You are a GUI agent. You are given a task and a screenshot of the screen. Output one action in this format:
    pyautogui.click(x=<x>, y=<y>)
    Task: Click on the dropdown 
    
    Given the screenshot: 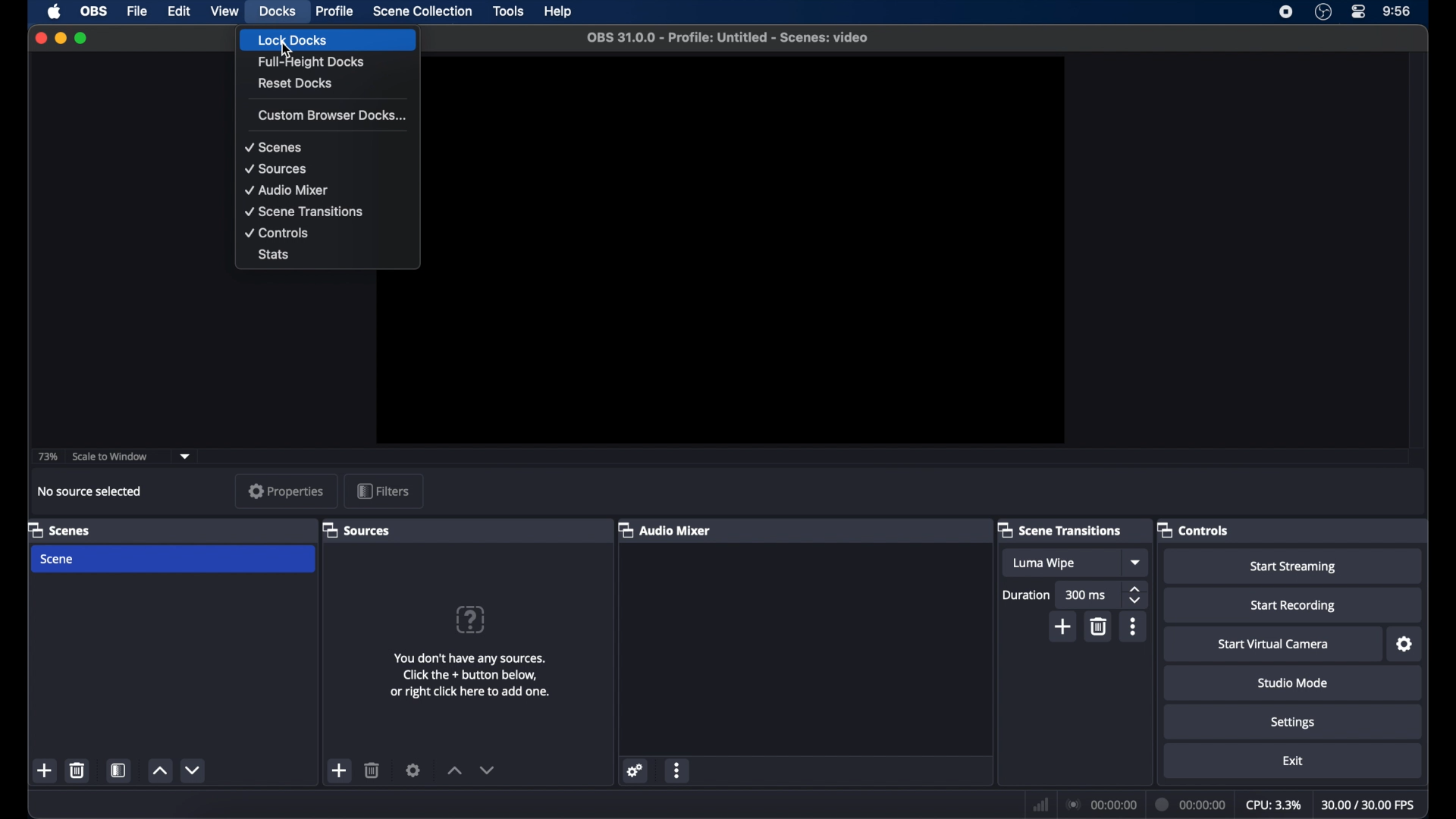 What is the action you would take?
    pyautogui.click(x=184, y=455)
    